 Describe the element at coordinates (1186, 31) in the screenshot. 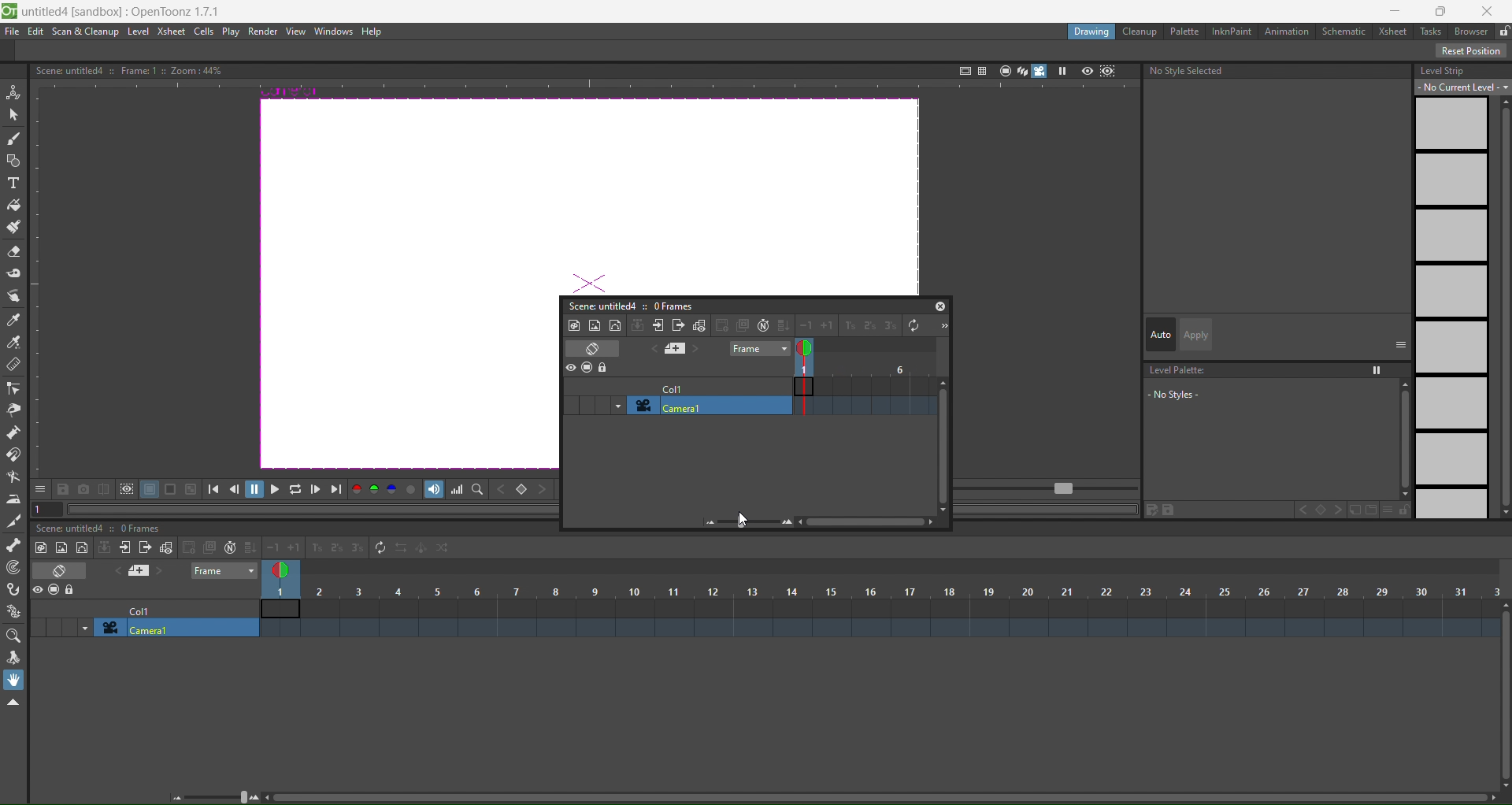

I see `palette` at that location.